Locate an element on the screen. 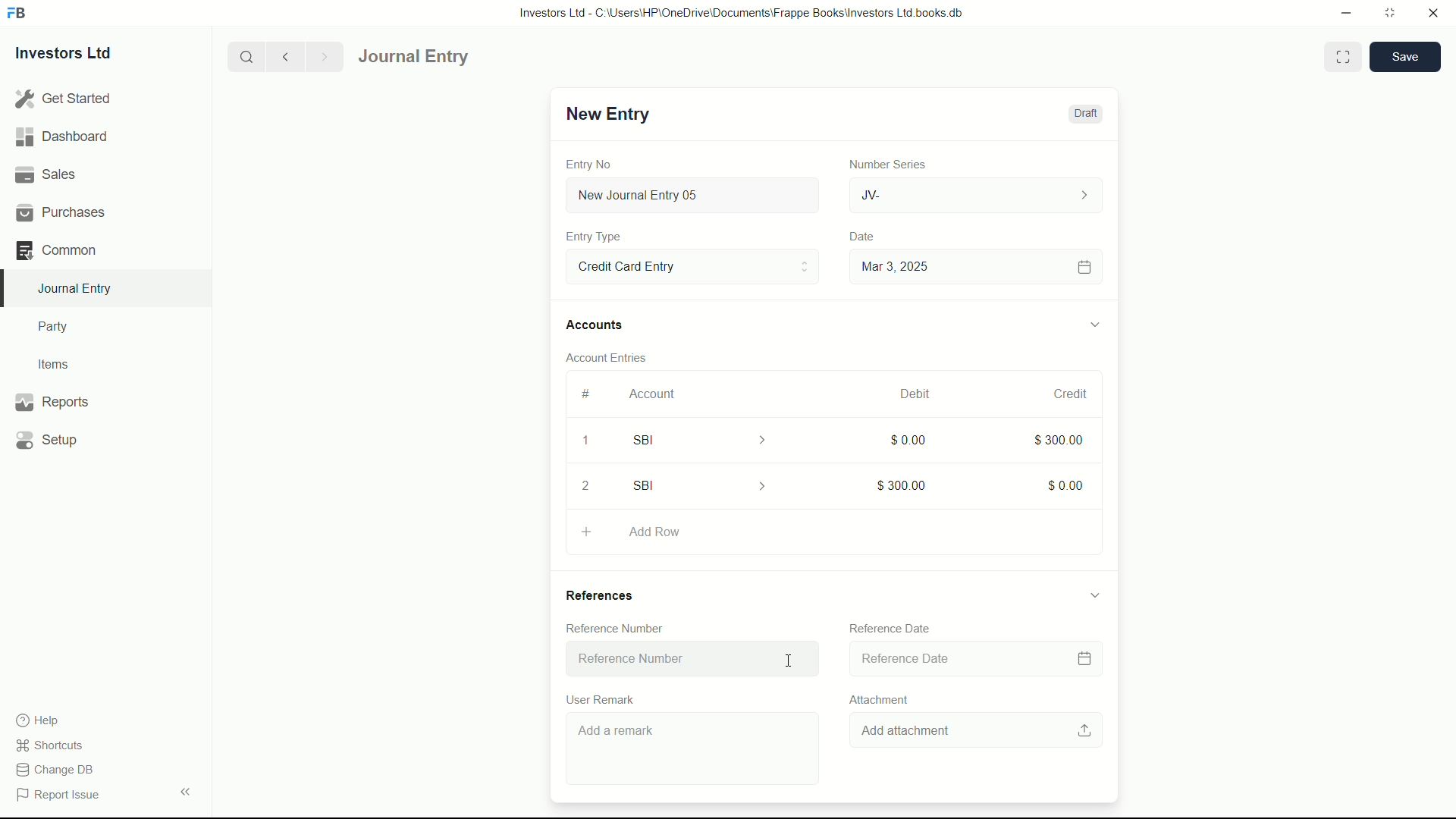  Add a remark is located at coordinates (695, 752).